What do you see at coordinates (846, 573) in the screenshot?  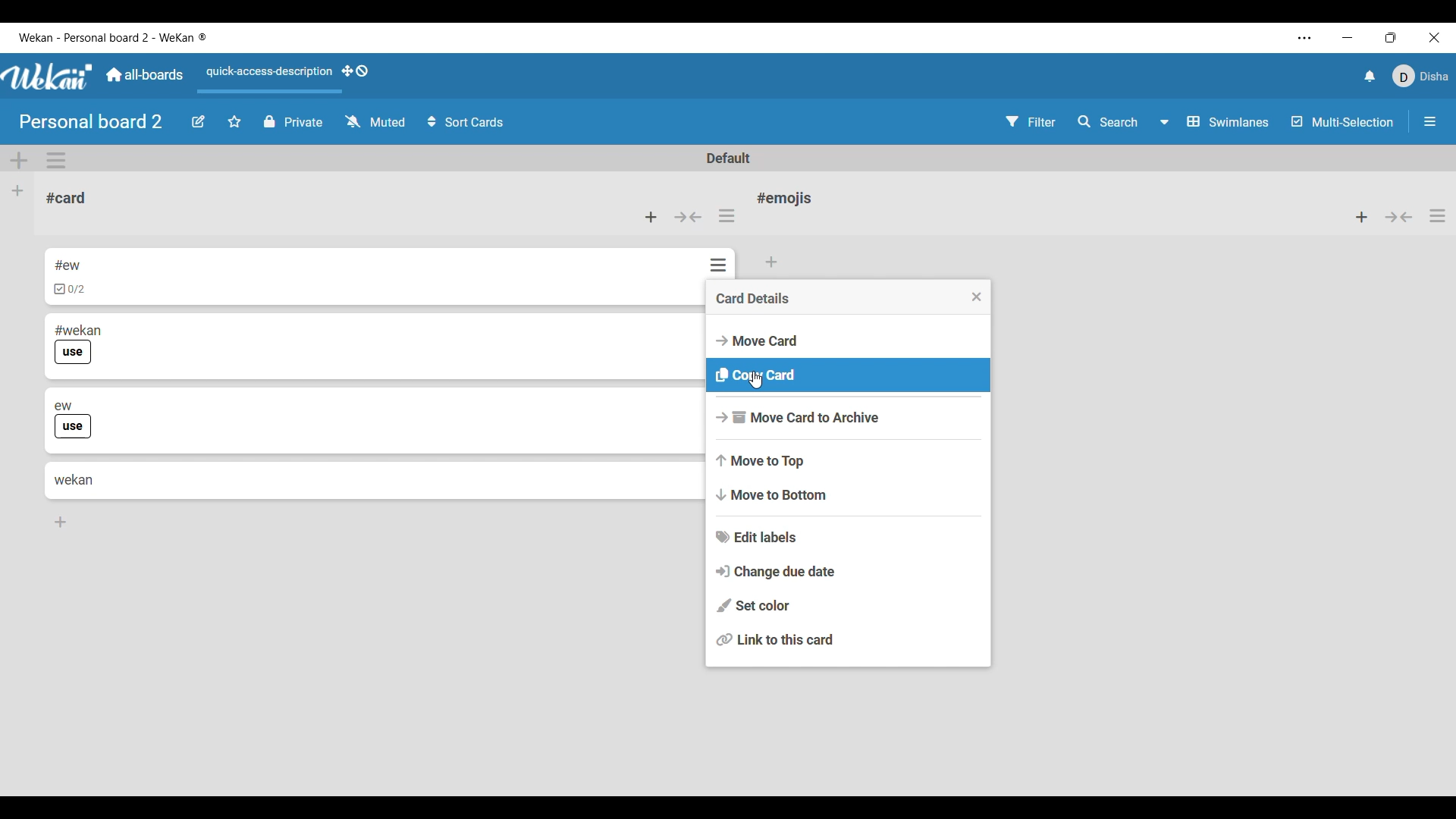 I see `Change due date` at bounding box center [846, 573].